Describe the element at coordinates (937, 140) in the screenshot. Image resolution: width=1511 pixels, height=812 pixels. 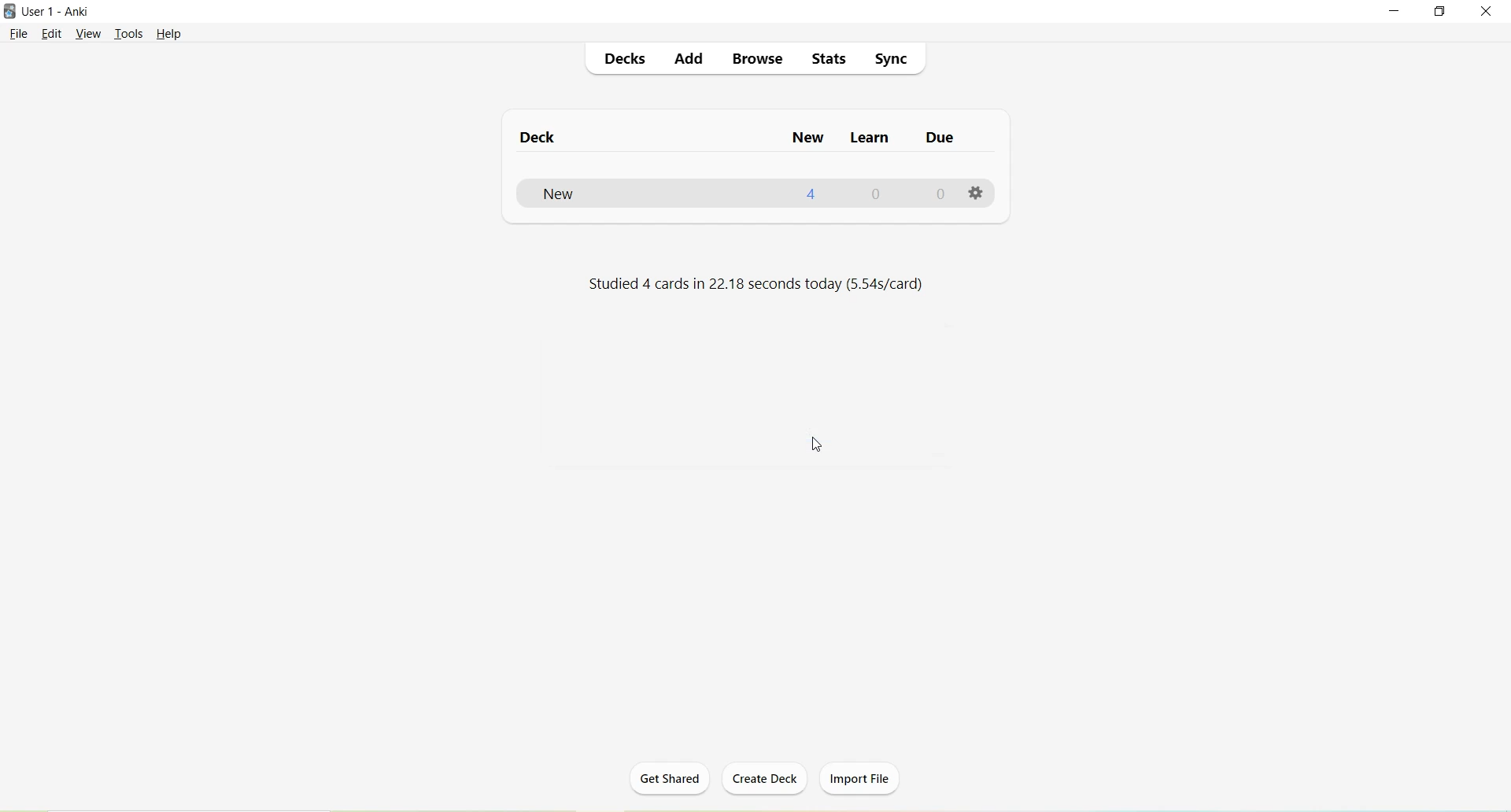
I see `Due` at that location.